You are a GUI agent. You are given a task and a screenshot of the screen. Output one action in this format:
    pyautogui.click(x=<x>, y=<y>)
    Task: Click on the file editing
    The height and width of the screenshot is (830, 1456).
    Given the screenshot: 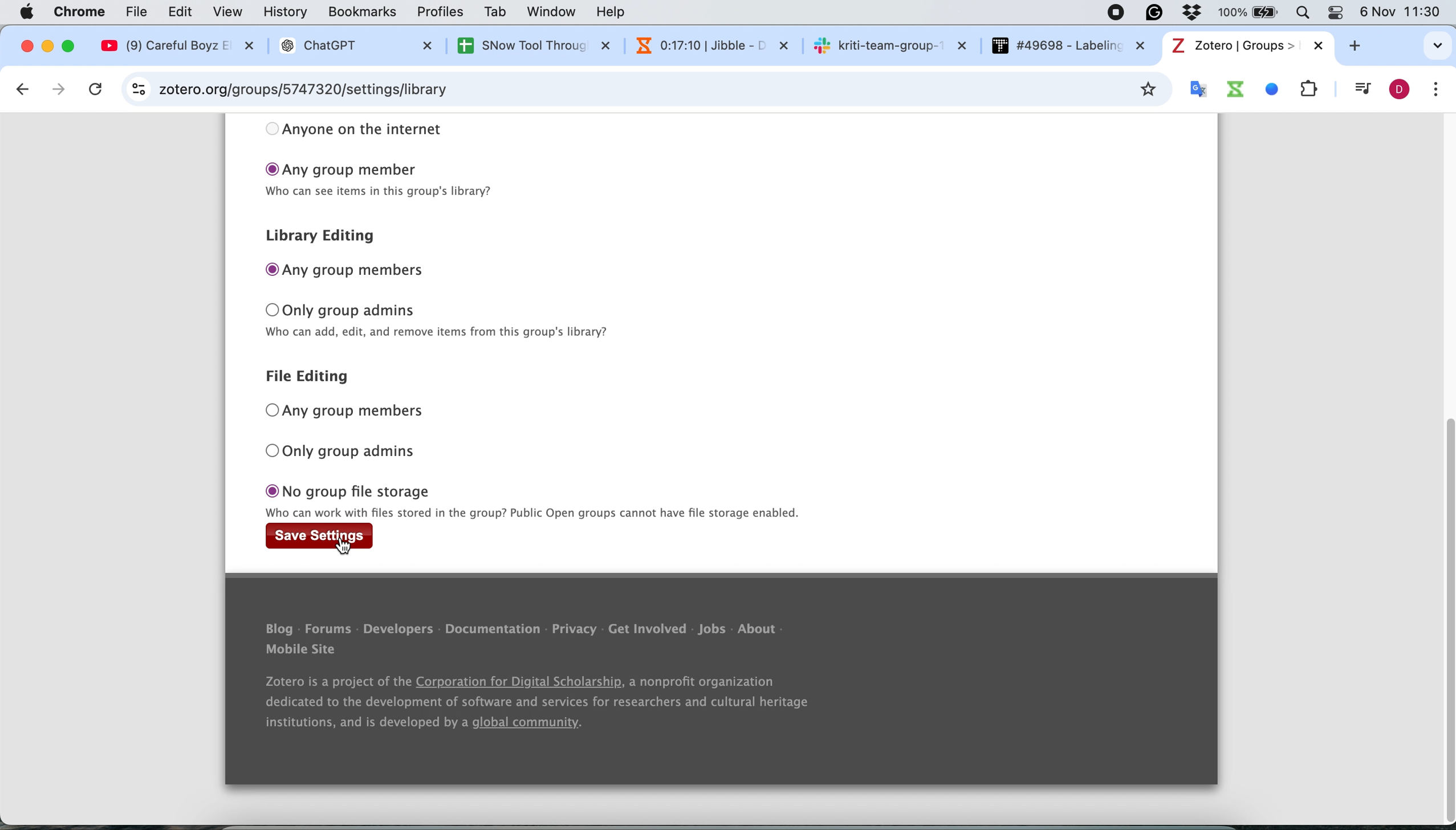 What is the action you would take?
    pyautogui.click(x=303, y=373)
    